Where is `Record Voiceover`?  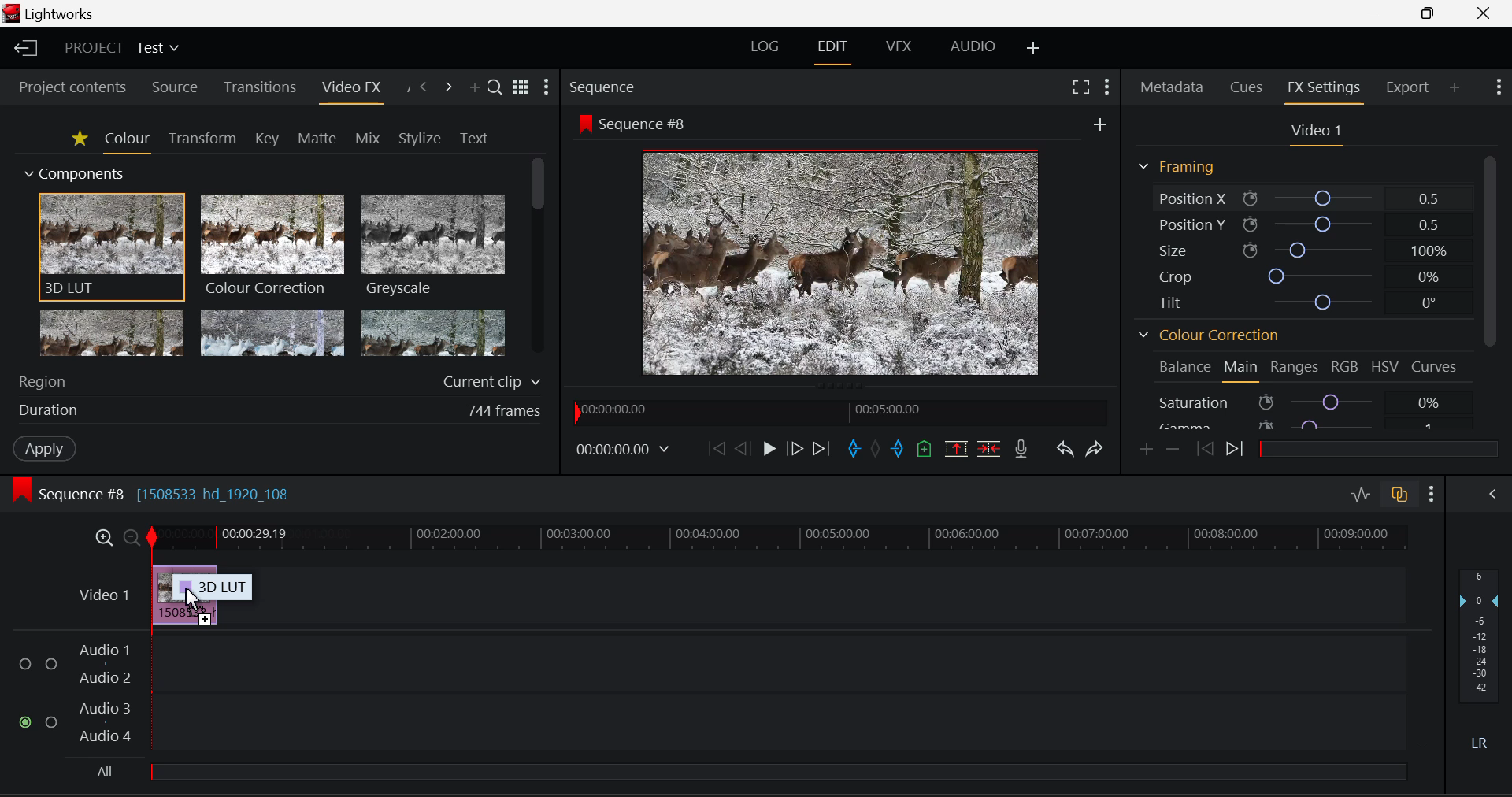 Record Voiceover is located at coordinates (1021, 449).